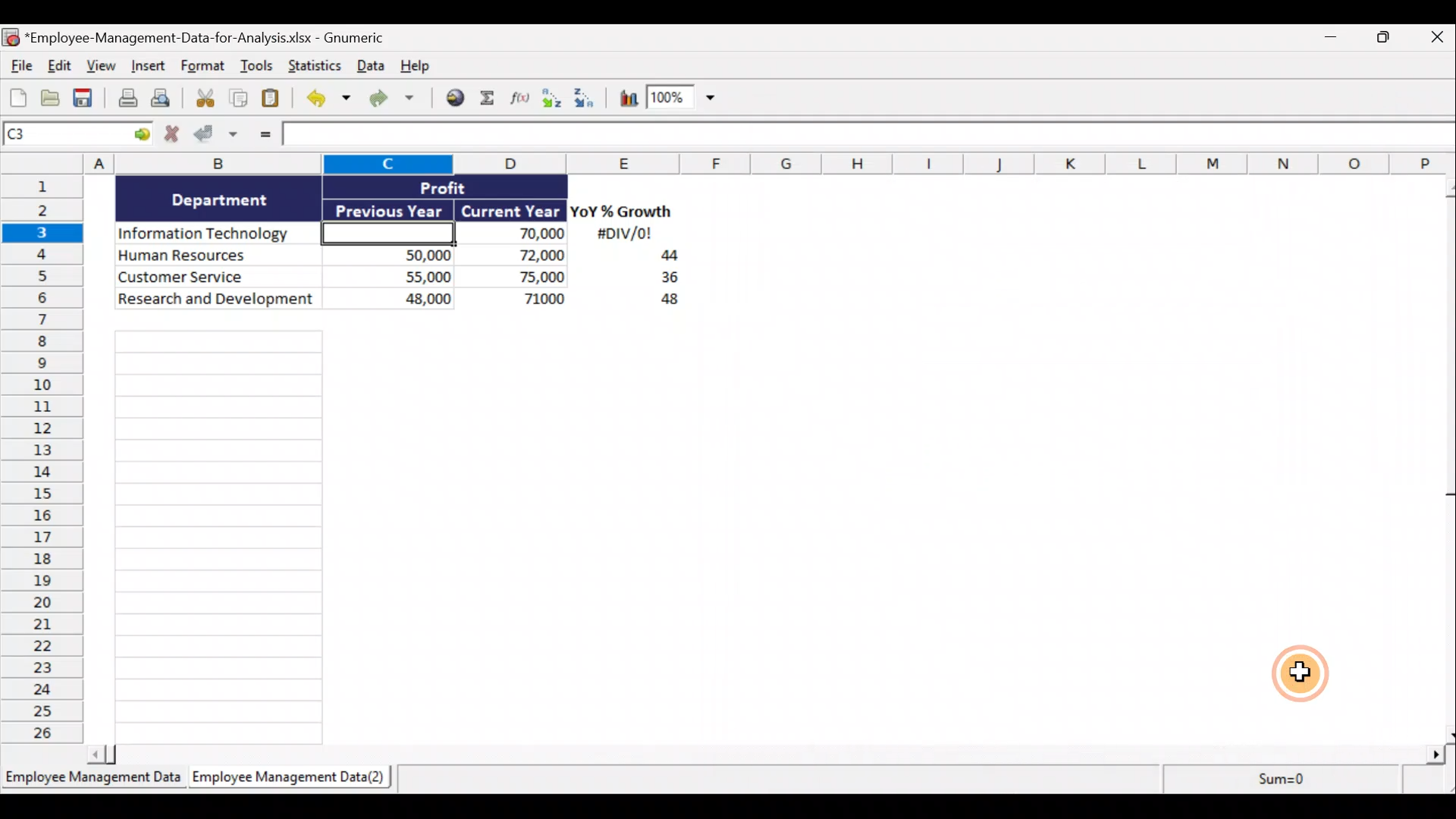  What do you see at coordinates (864, 136) in the screenshot?
I see `Formula bar` at bounding box center [864, 136].